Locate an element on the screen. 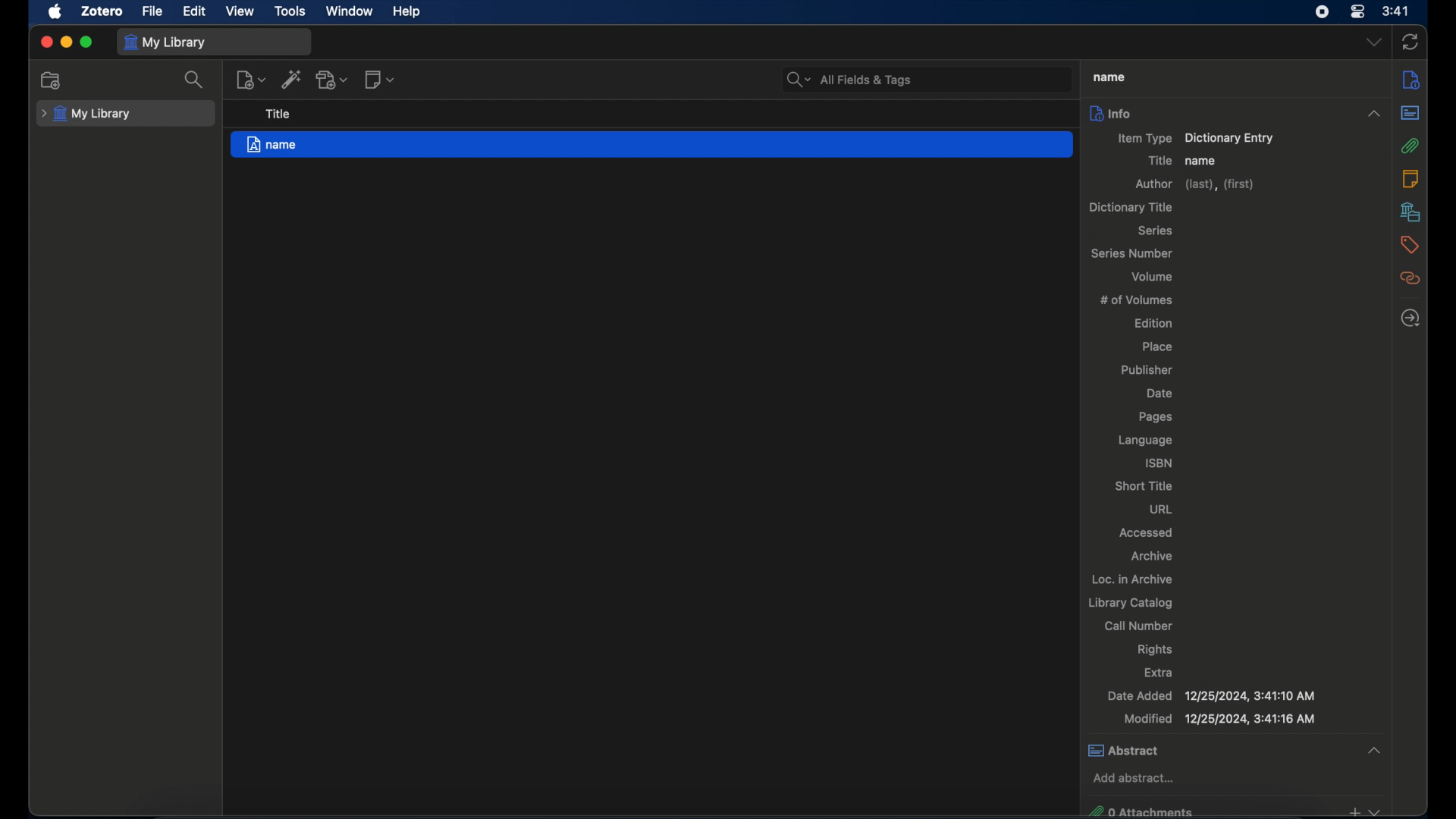  language is located at coordinates (1147, 441).